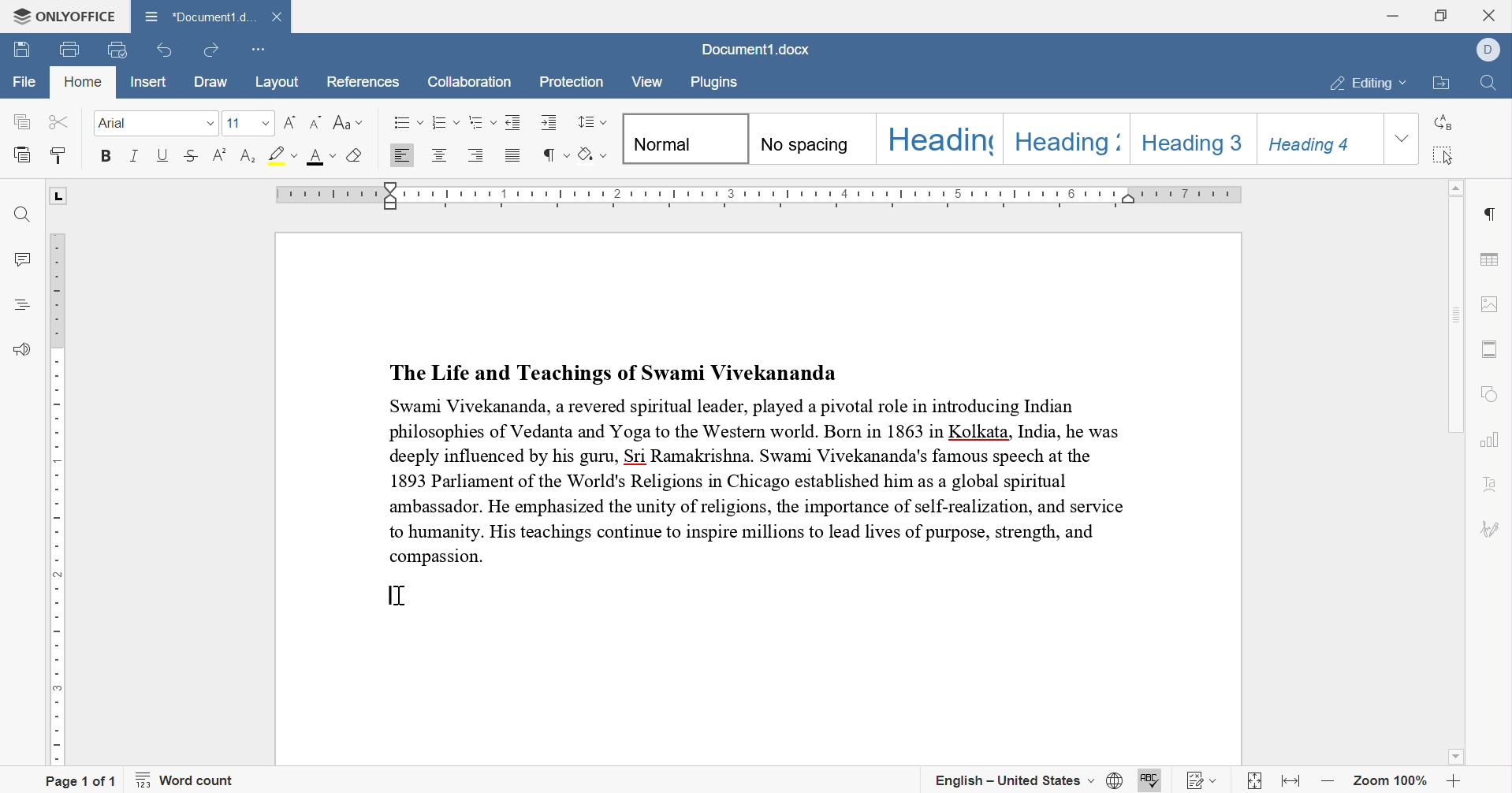  I want to click on ruler, so click(764, 195).